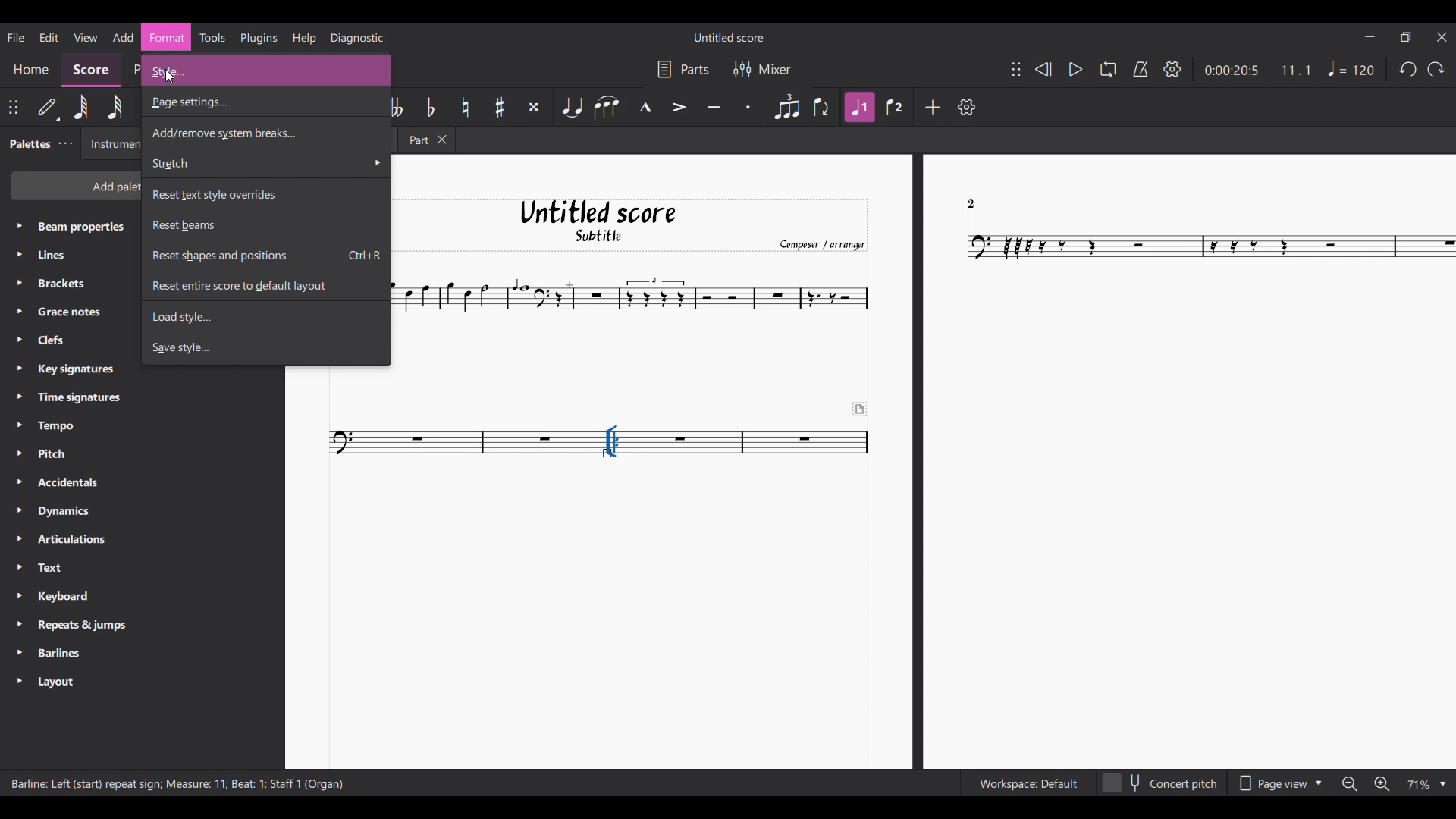  Describe the element at coordinates (1350, 784) in the screenshot. I see `Zoom out` at that location.